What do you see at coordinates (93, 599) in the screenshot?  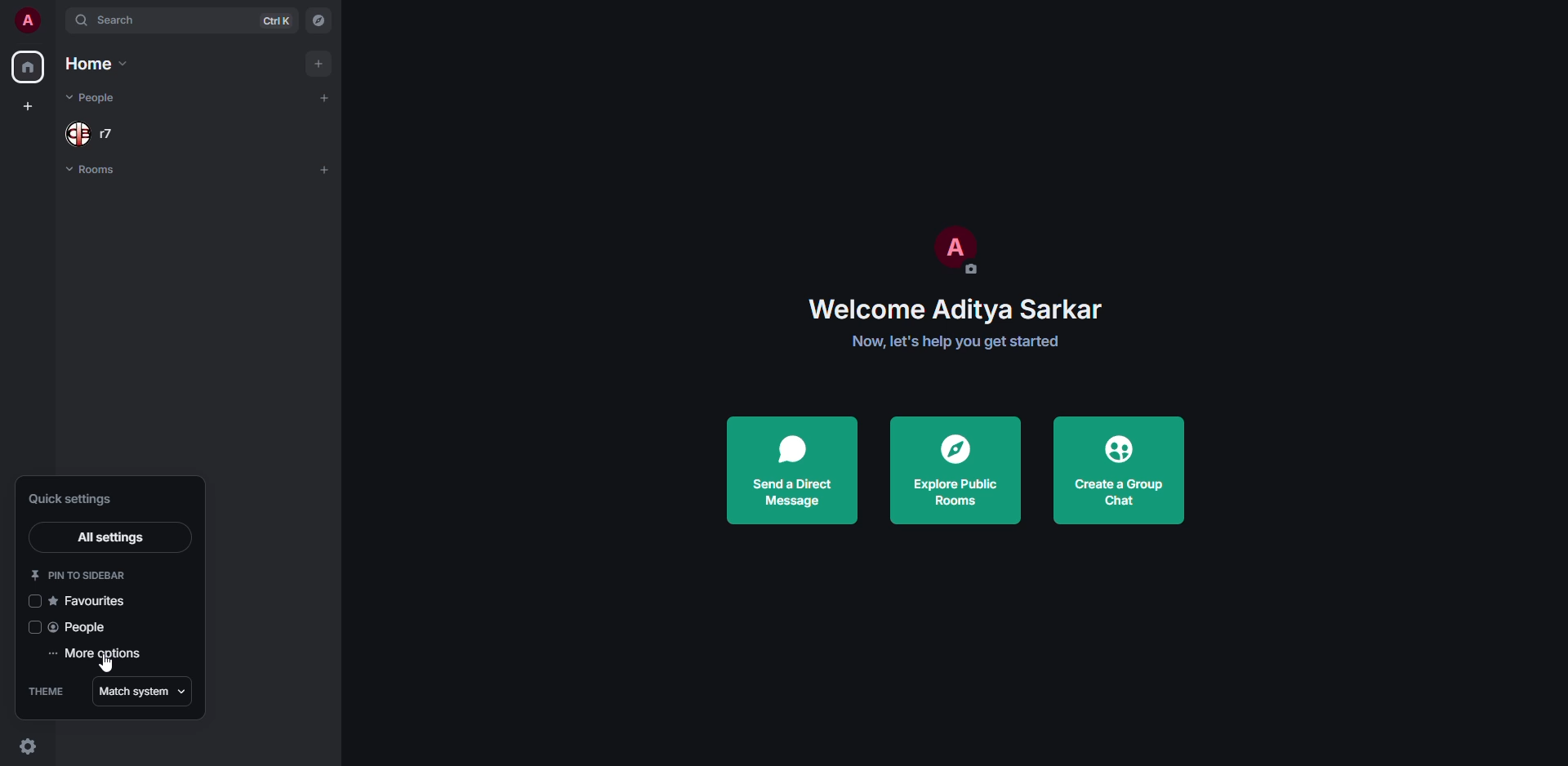 I see `favorites` at bounding box center [93, 599].